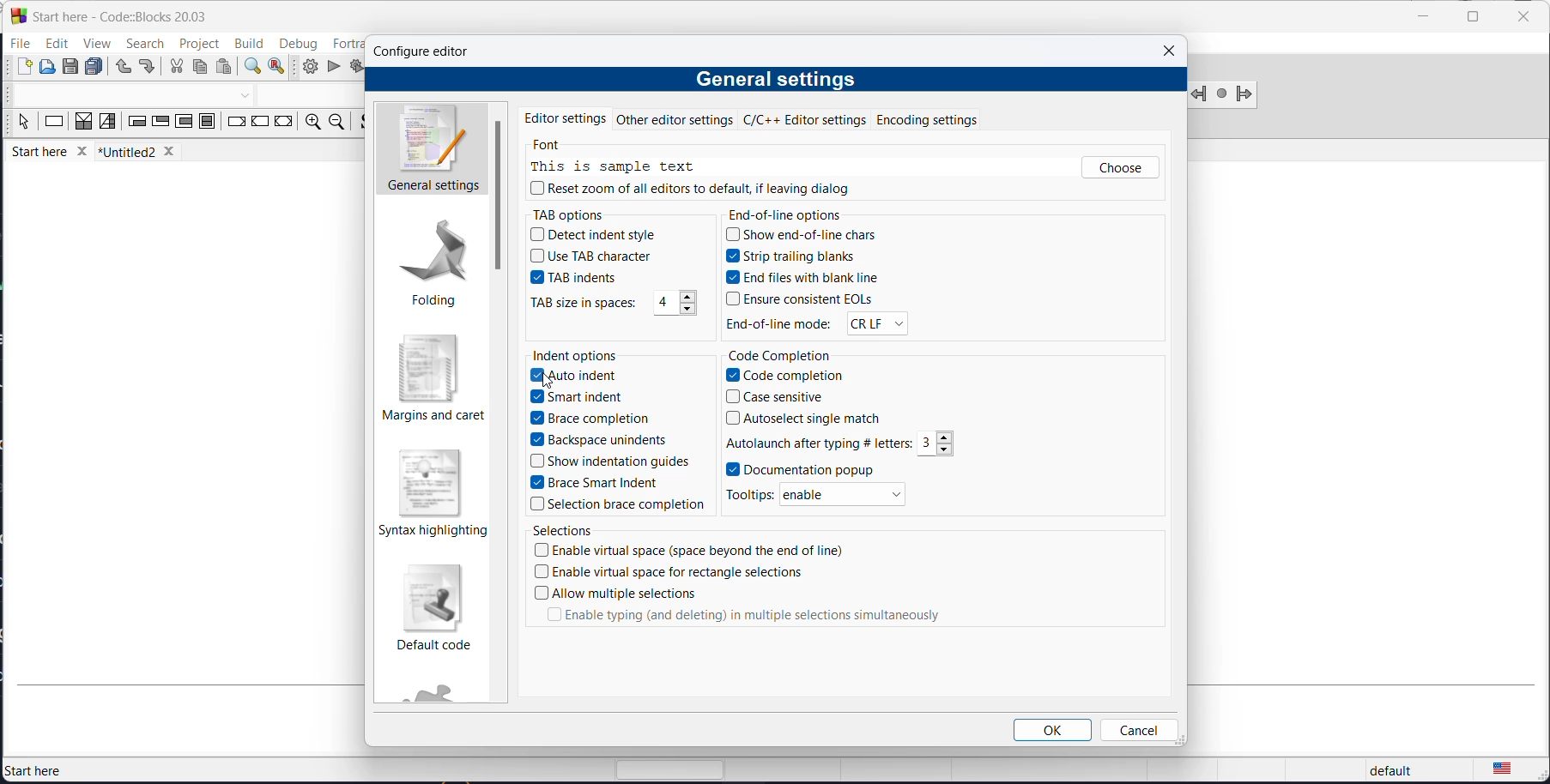 This screenshot has height=784, width=1550. I want to click on folding, so click(432, 265).